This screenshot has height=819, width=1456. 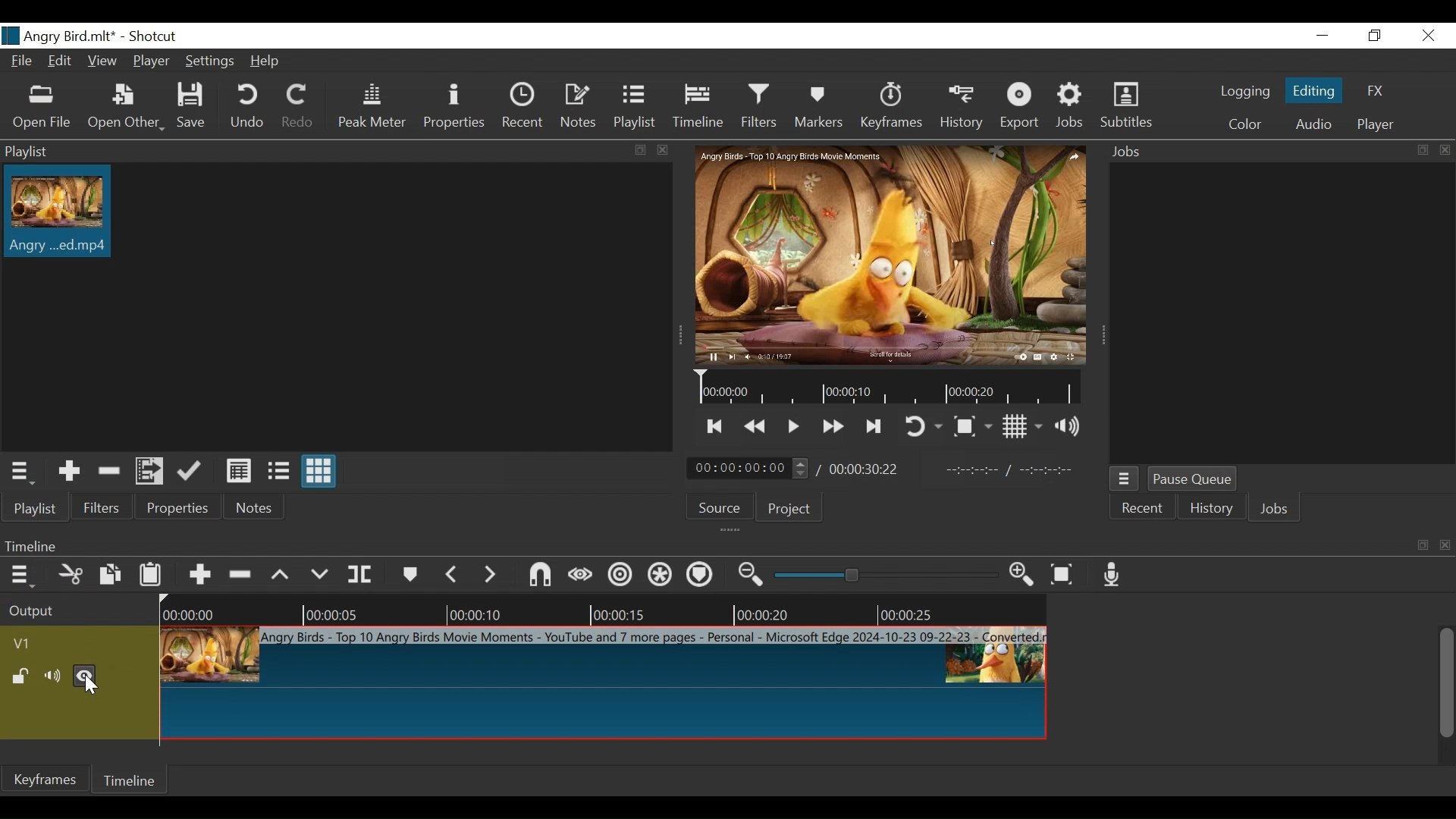 I want to click on Editing, so click(x=1313, y=89).